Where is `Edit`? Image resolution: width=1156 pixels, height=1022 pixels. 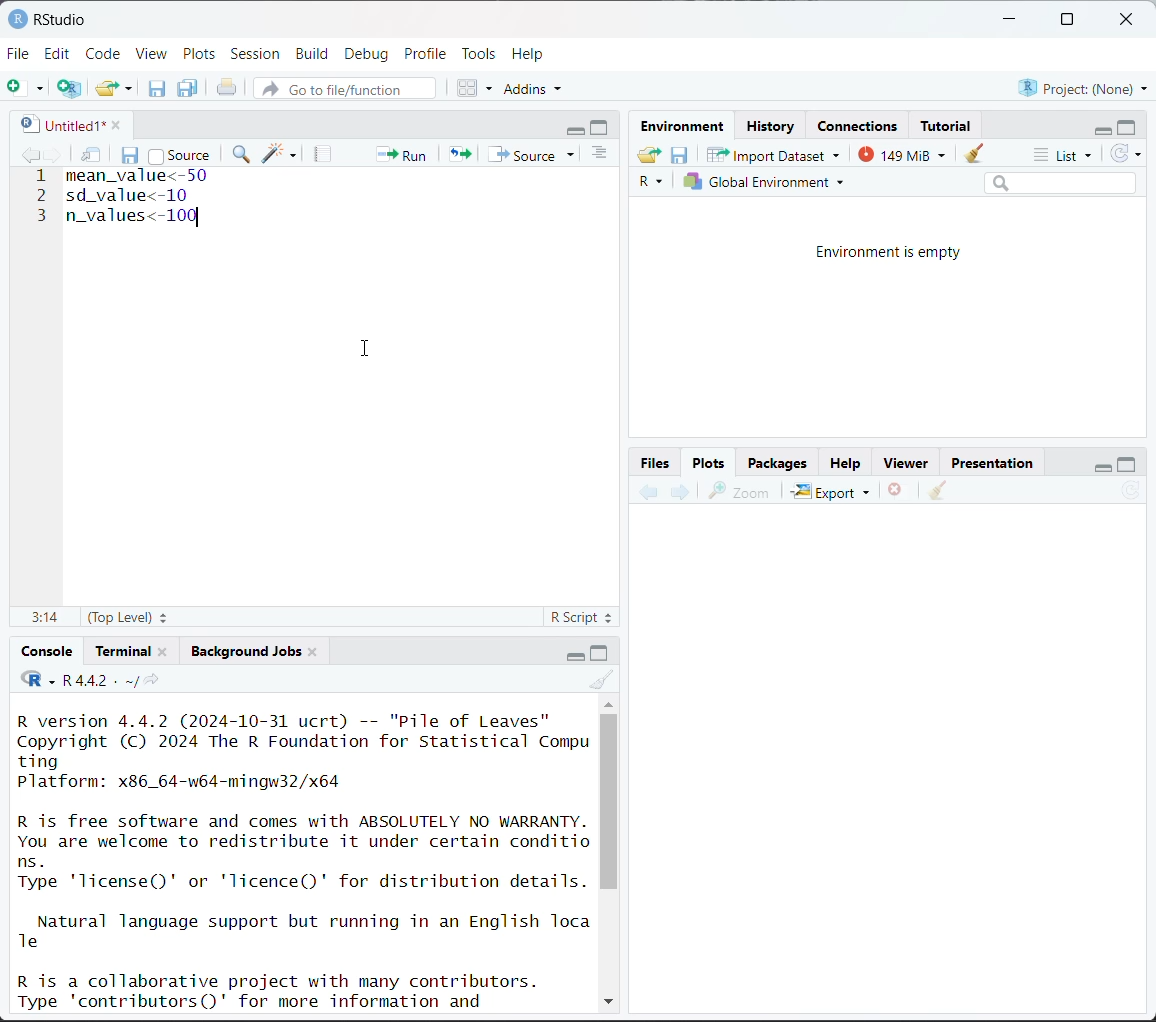
Edit is located at coordinates (60, 53).